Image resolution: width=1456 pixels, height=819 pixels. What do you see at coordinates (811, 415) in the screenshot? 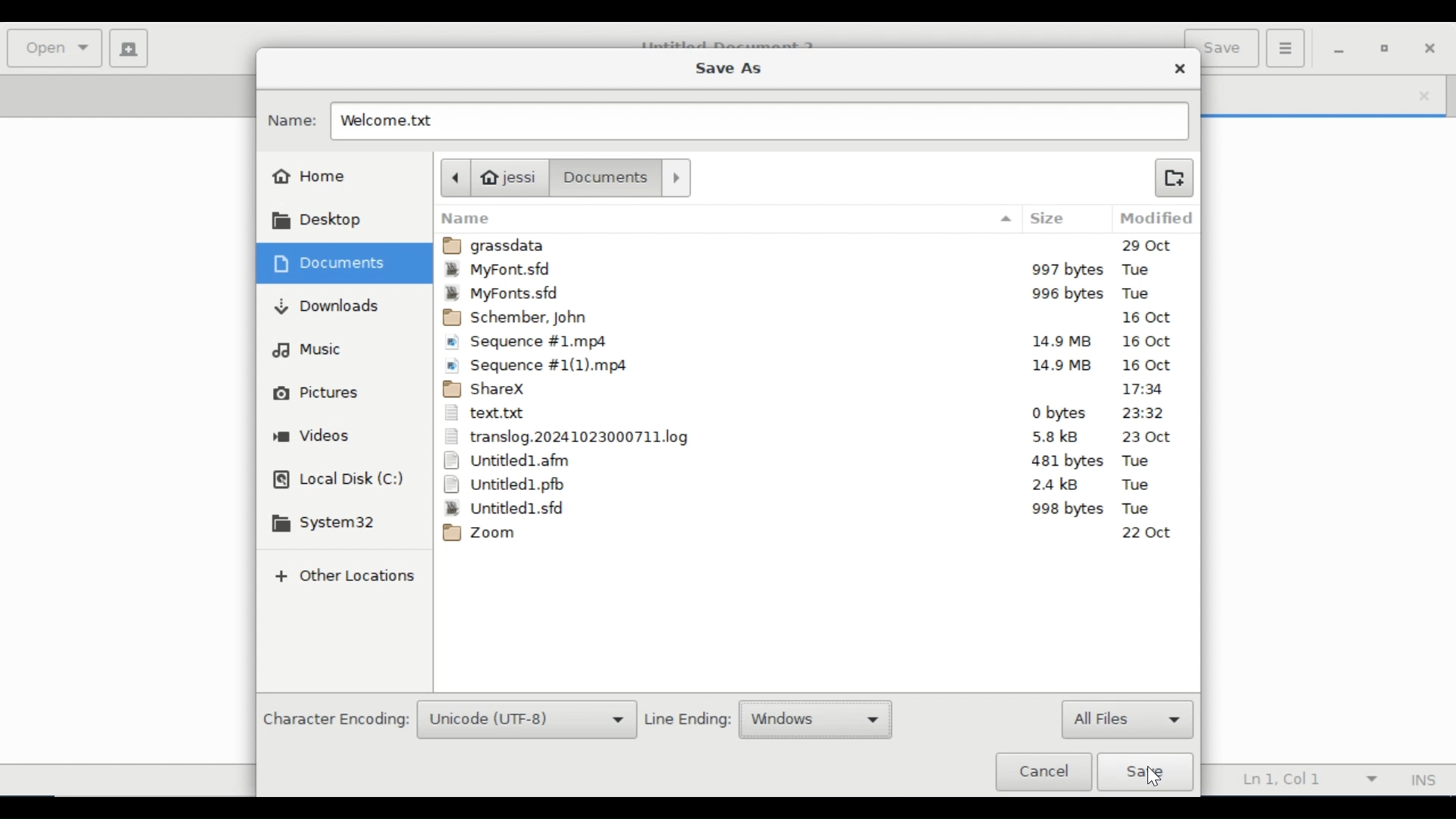
I see `text.txt 0 bytes 23:32` at bounding box center [811, 415].